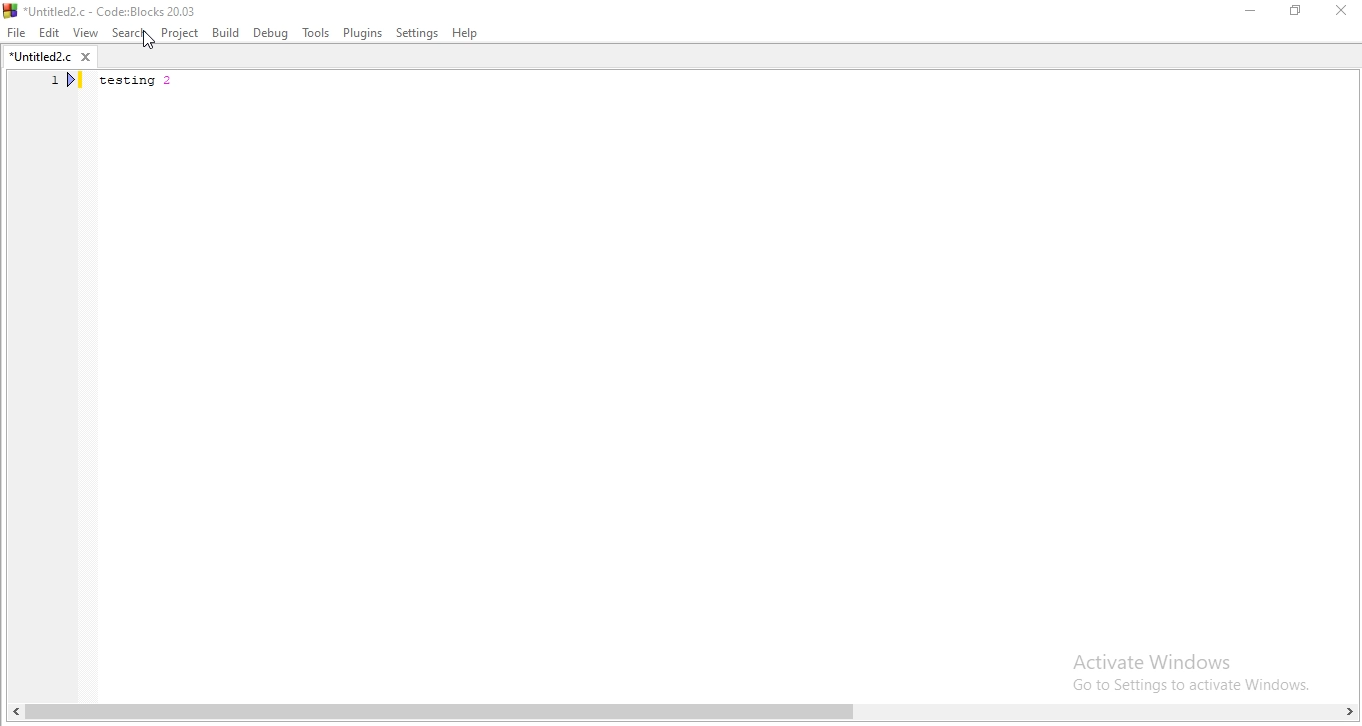 This screenshot has width=1362, height=726. Describe the element at coordinates (418, 33) in the screenshot. I see `settings` at that location.